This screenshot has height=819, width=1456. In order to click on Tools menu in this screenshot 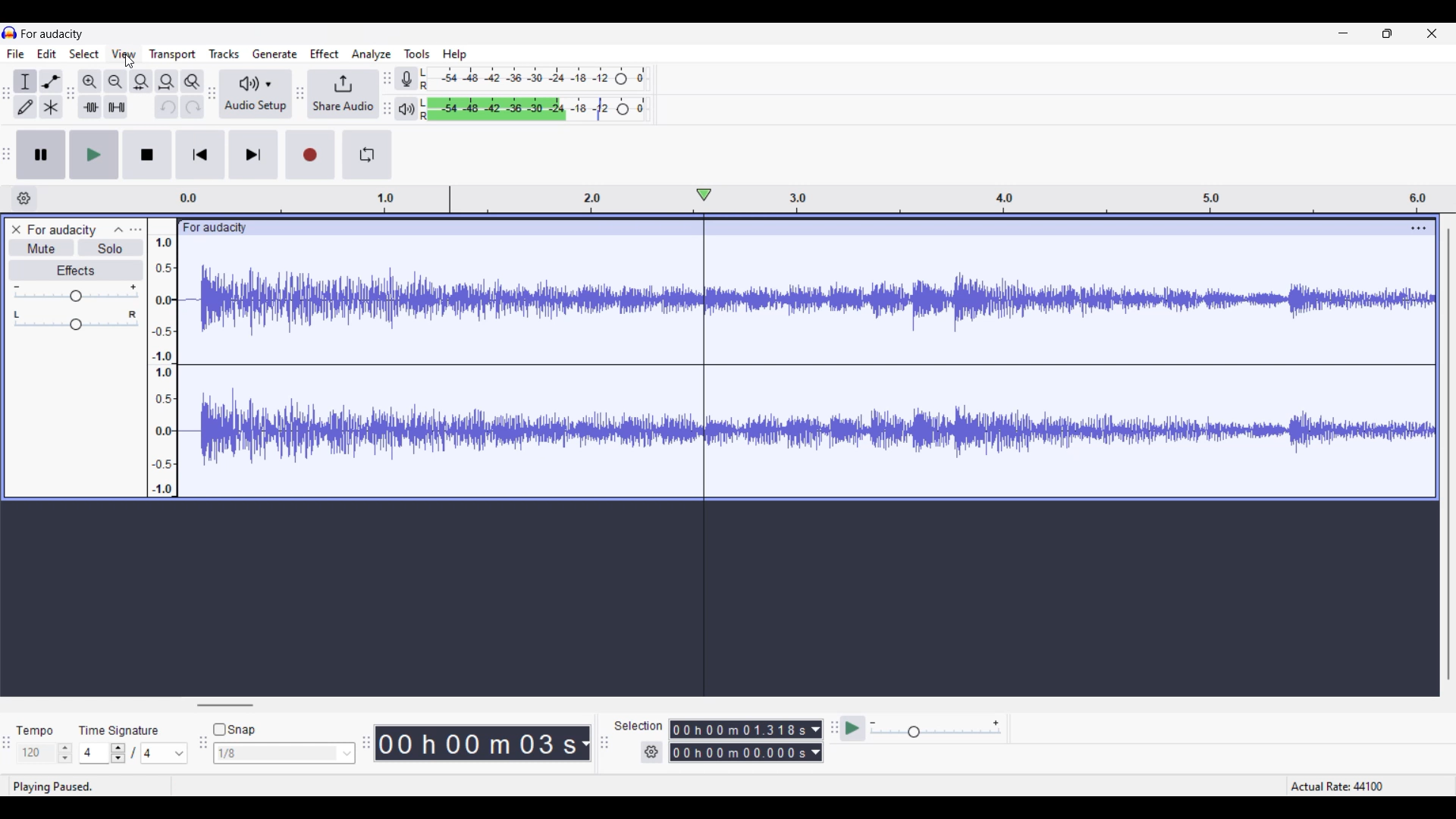, I will do `click(416, 54)`.